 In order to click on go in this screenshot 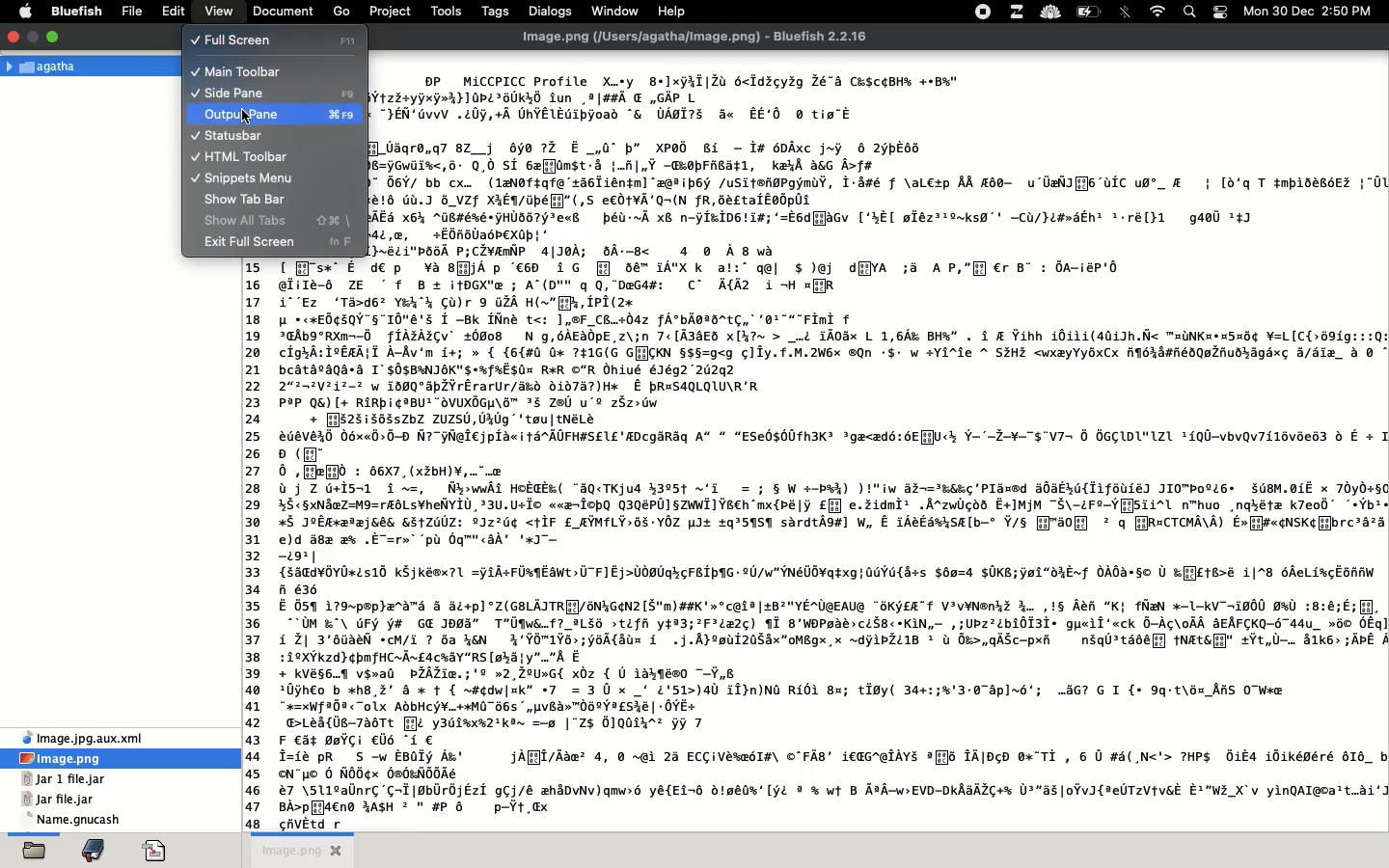, I will do `click(340, 11)`.